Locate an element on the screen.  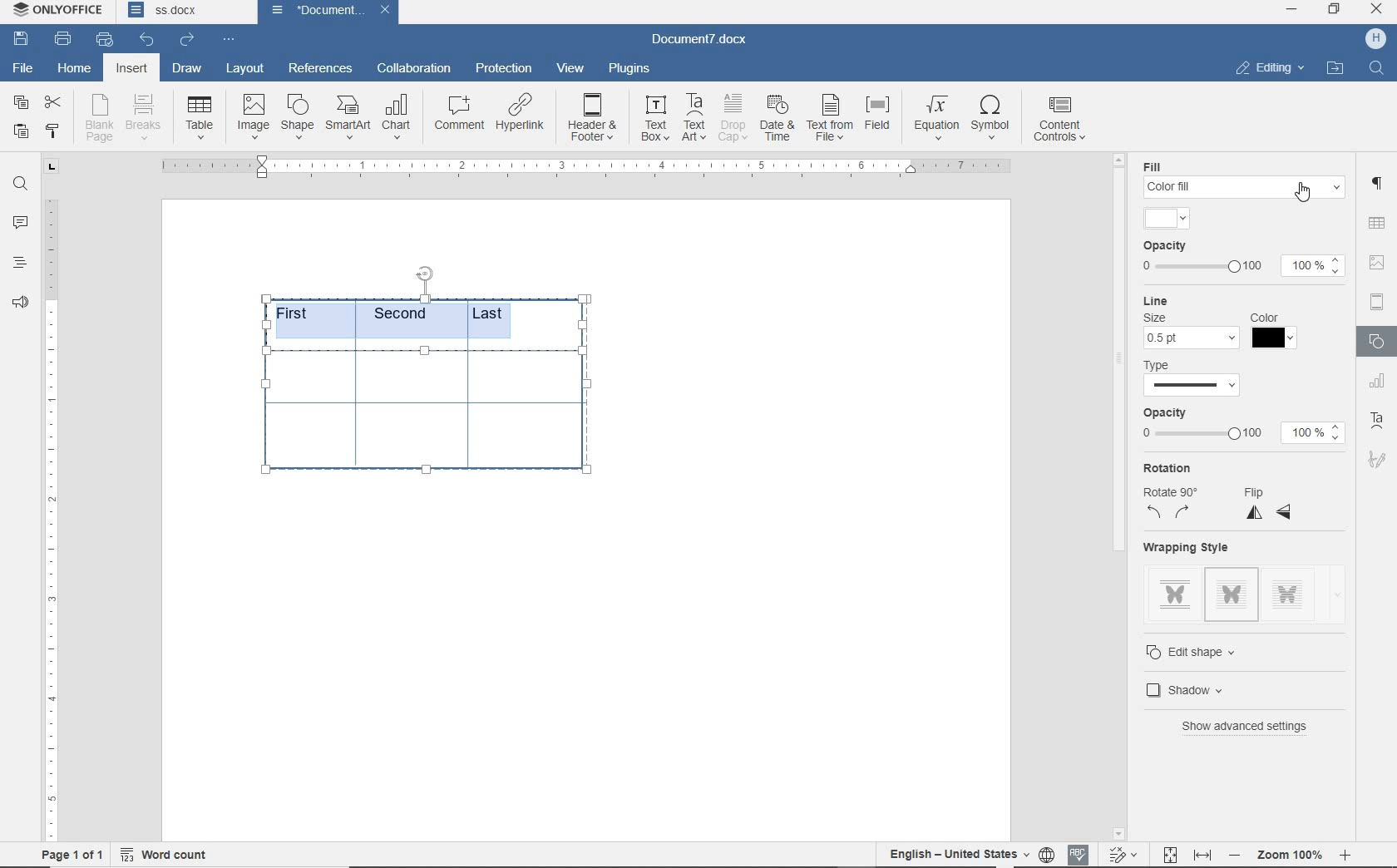
references is located at coordinates (320, 66).